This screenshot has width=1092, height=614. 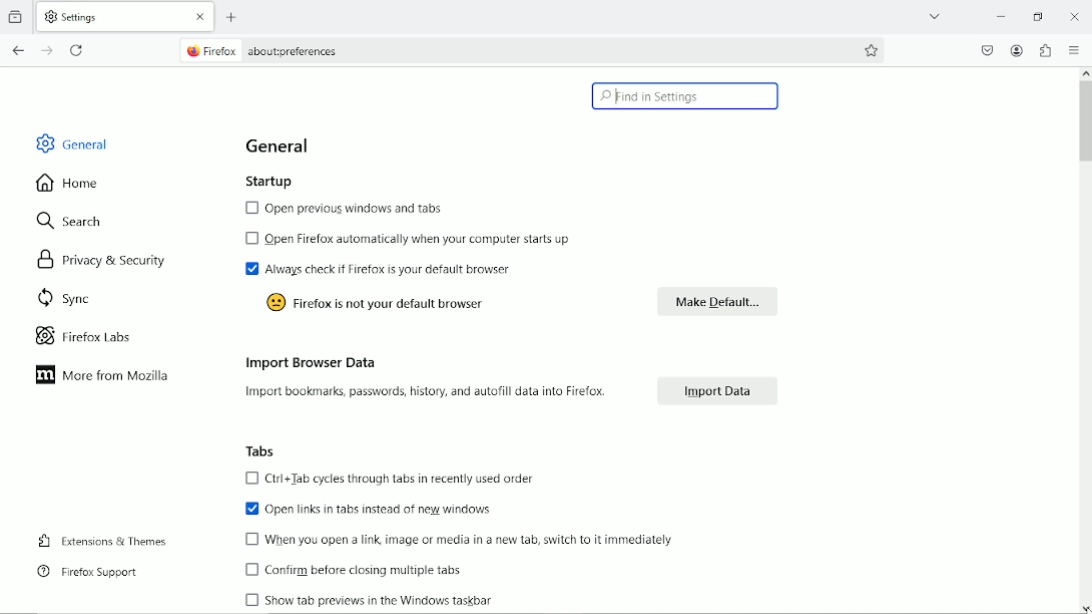 I want to click on account, so click(x=1017, y=51).